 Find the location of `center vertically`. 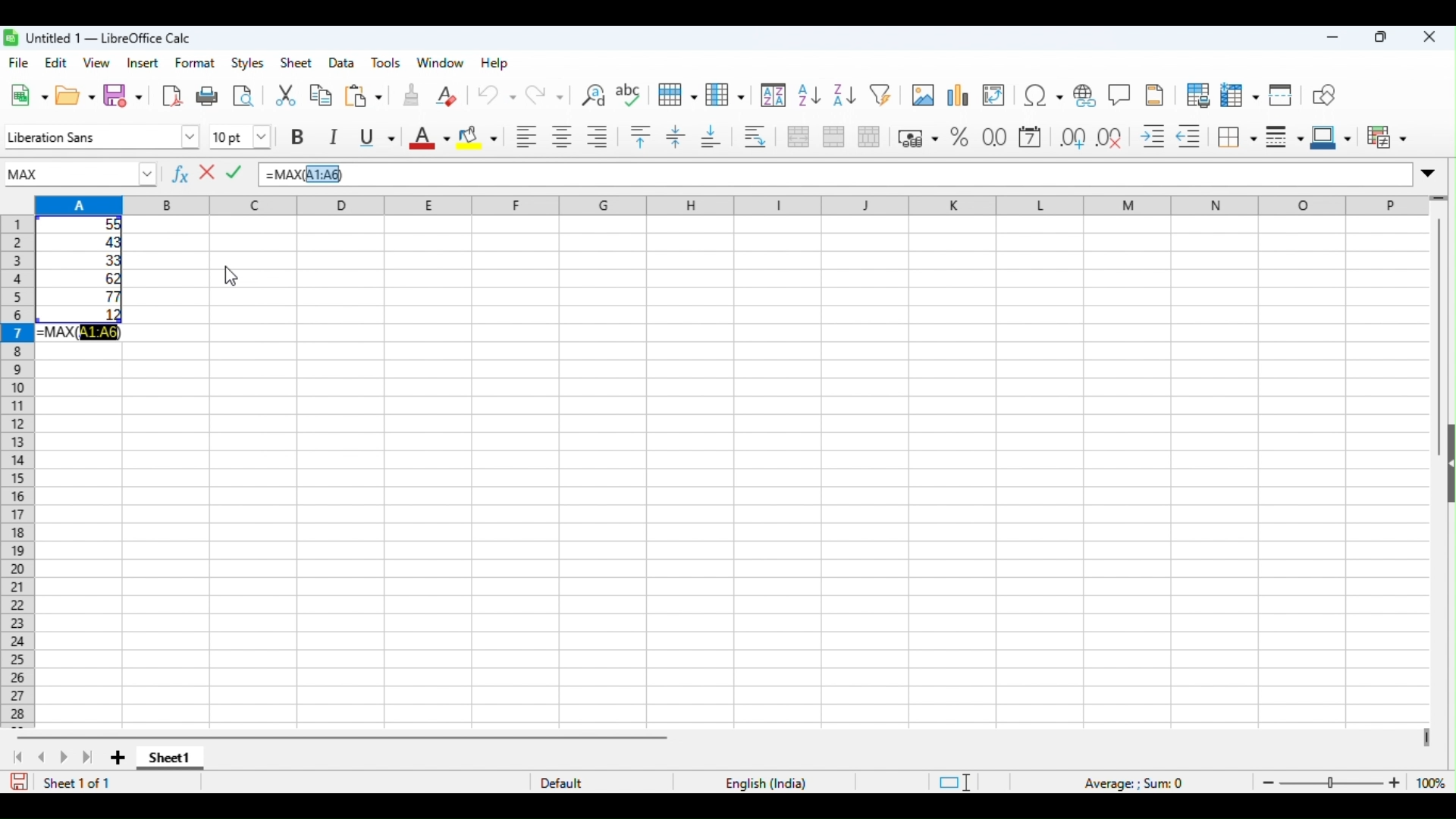

center vertically is located at coordinates (674, 136).